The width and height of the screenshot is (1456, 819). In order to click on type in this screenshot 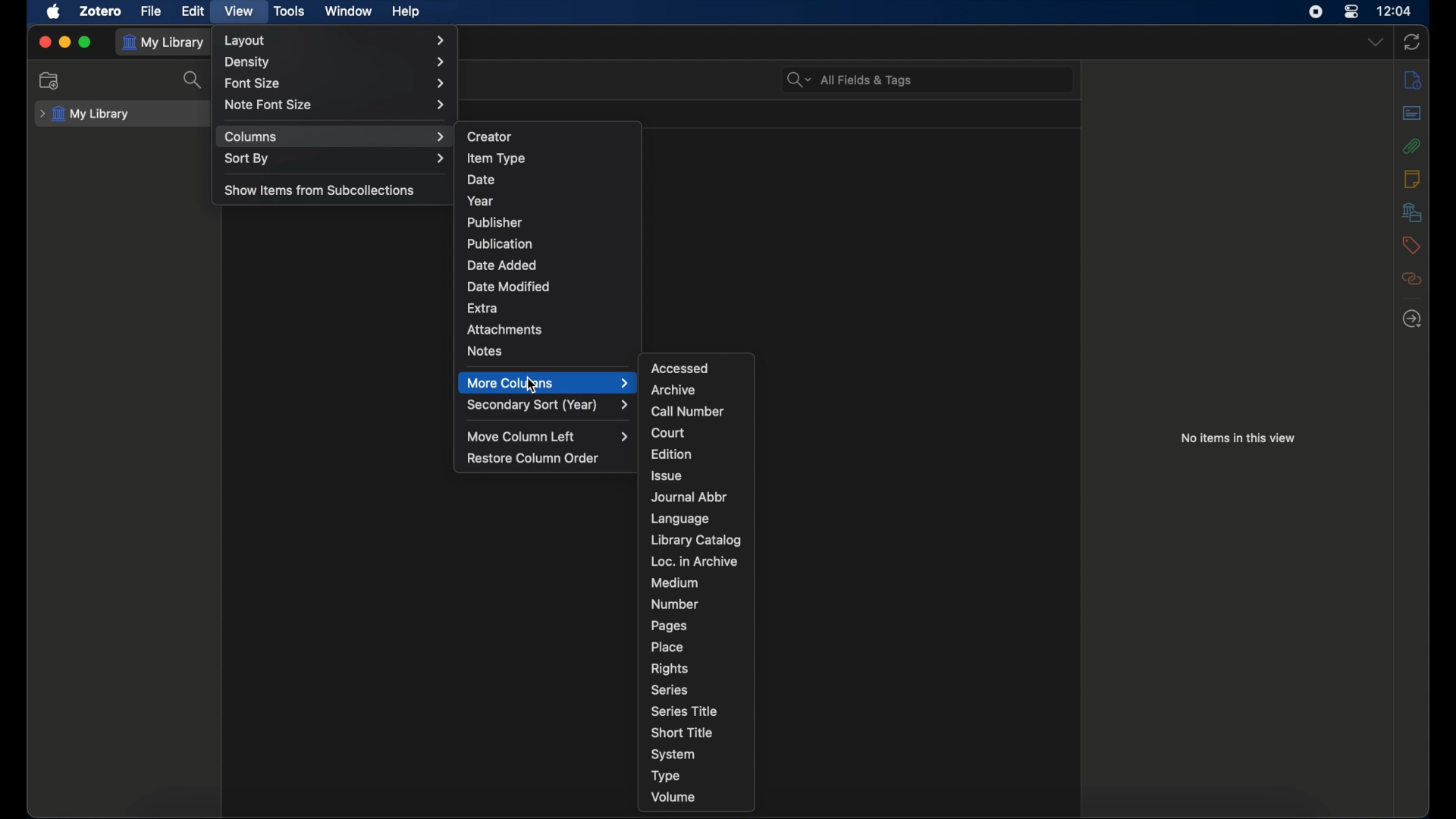, I will do `click(666, 777)`.